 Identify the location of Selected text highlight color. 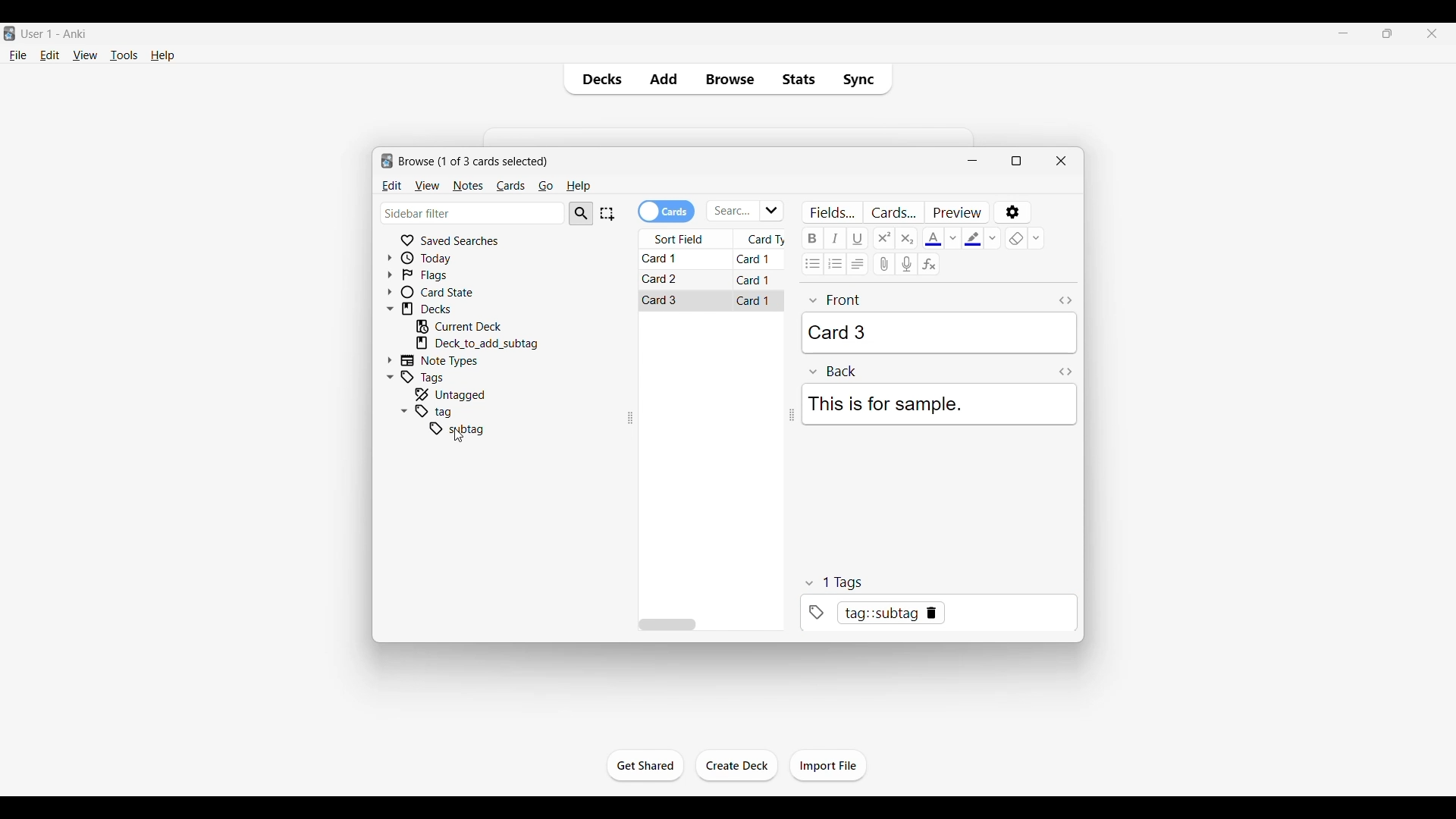
(973, 238).